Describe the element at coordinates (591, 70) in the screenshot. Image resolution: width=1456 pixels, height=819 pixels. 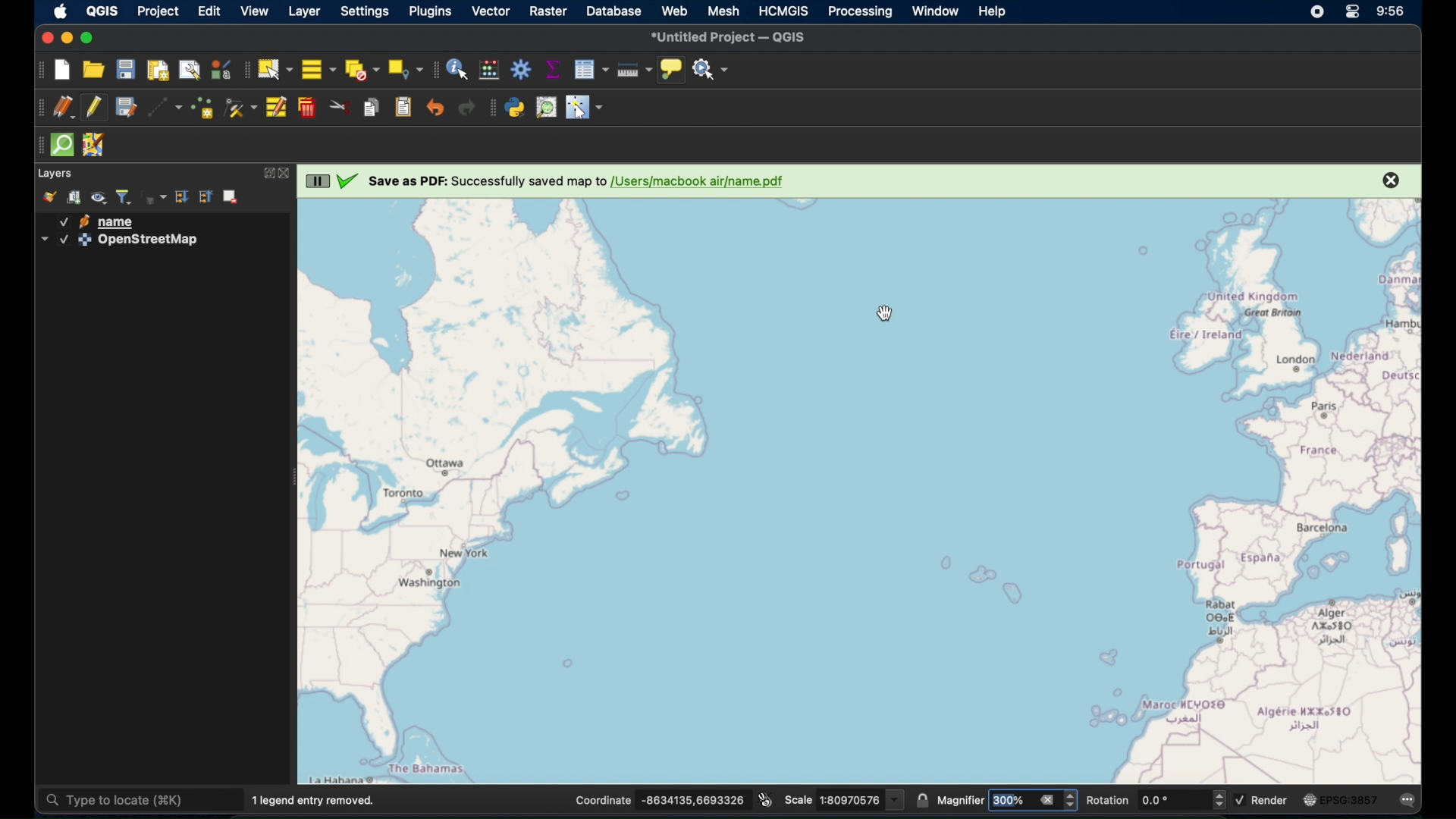
I see `open attribute table` at that location.